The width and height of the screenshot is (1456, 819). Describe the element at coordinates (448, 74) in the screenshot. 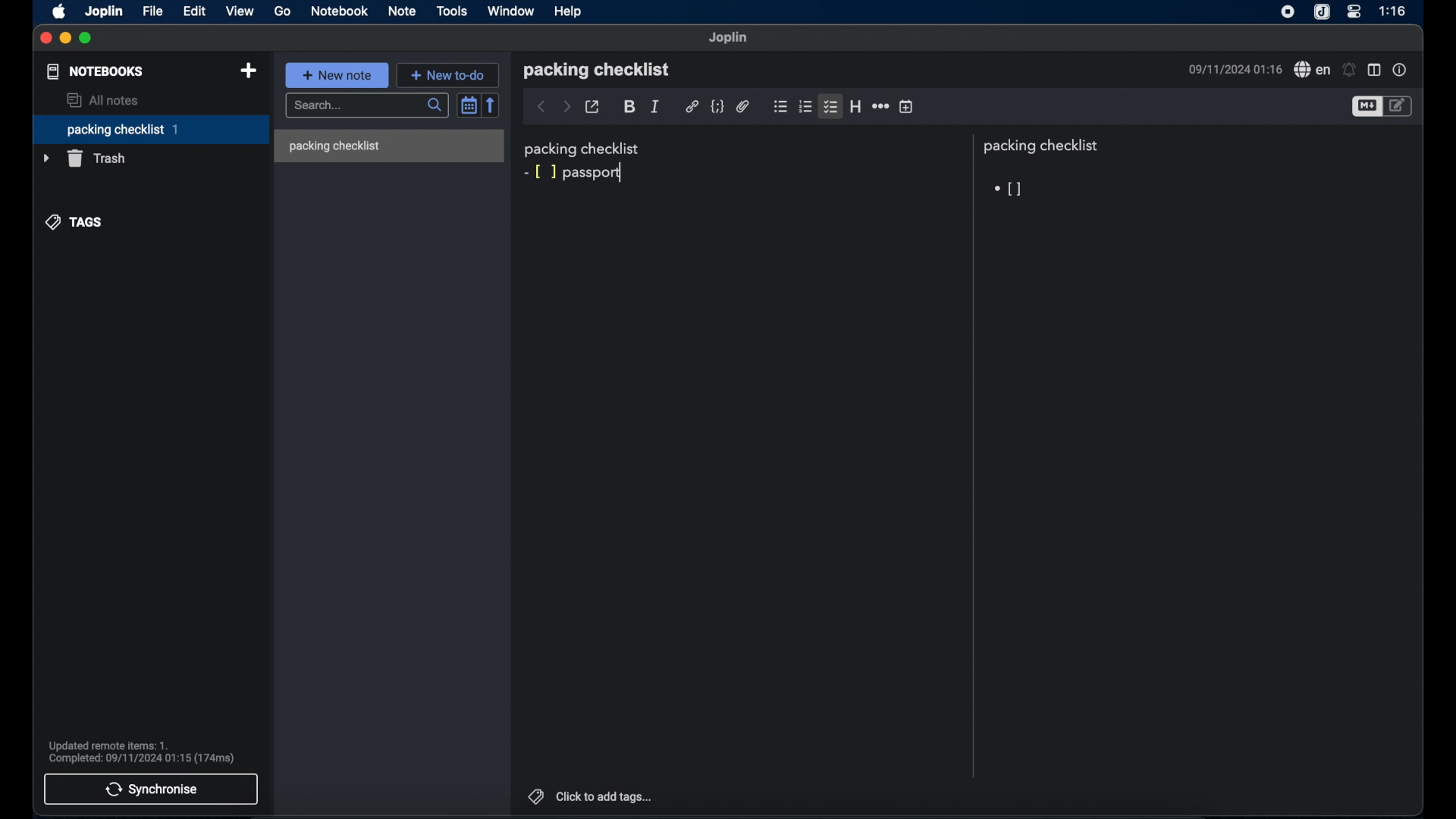

I see `new to do` at that location.